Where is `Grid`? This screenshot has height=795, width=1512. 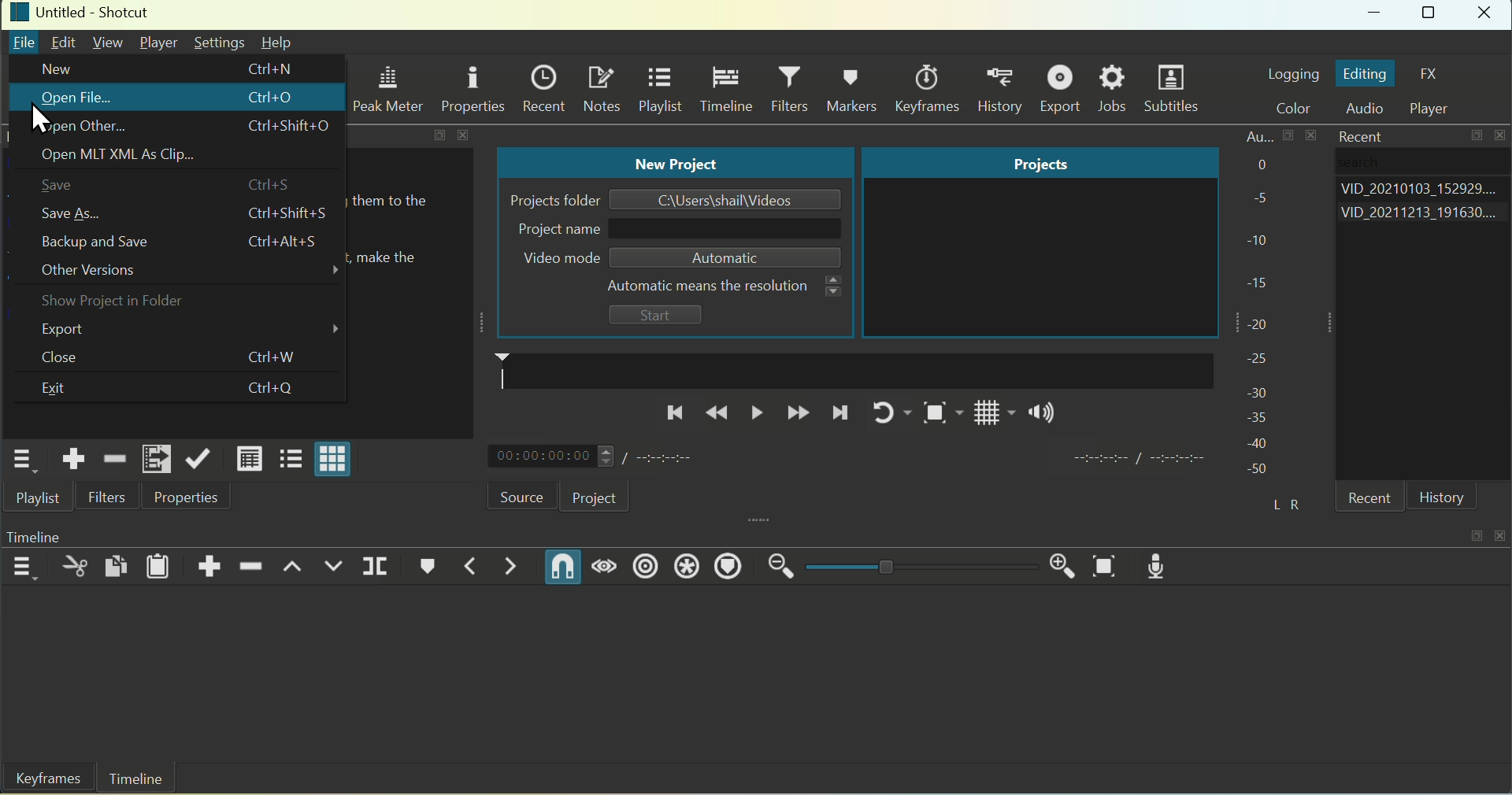
Grid is located at coordinates (984, 417).